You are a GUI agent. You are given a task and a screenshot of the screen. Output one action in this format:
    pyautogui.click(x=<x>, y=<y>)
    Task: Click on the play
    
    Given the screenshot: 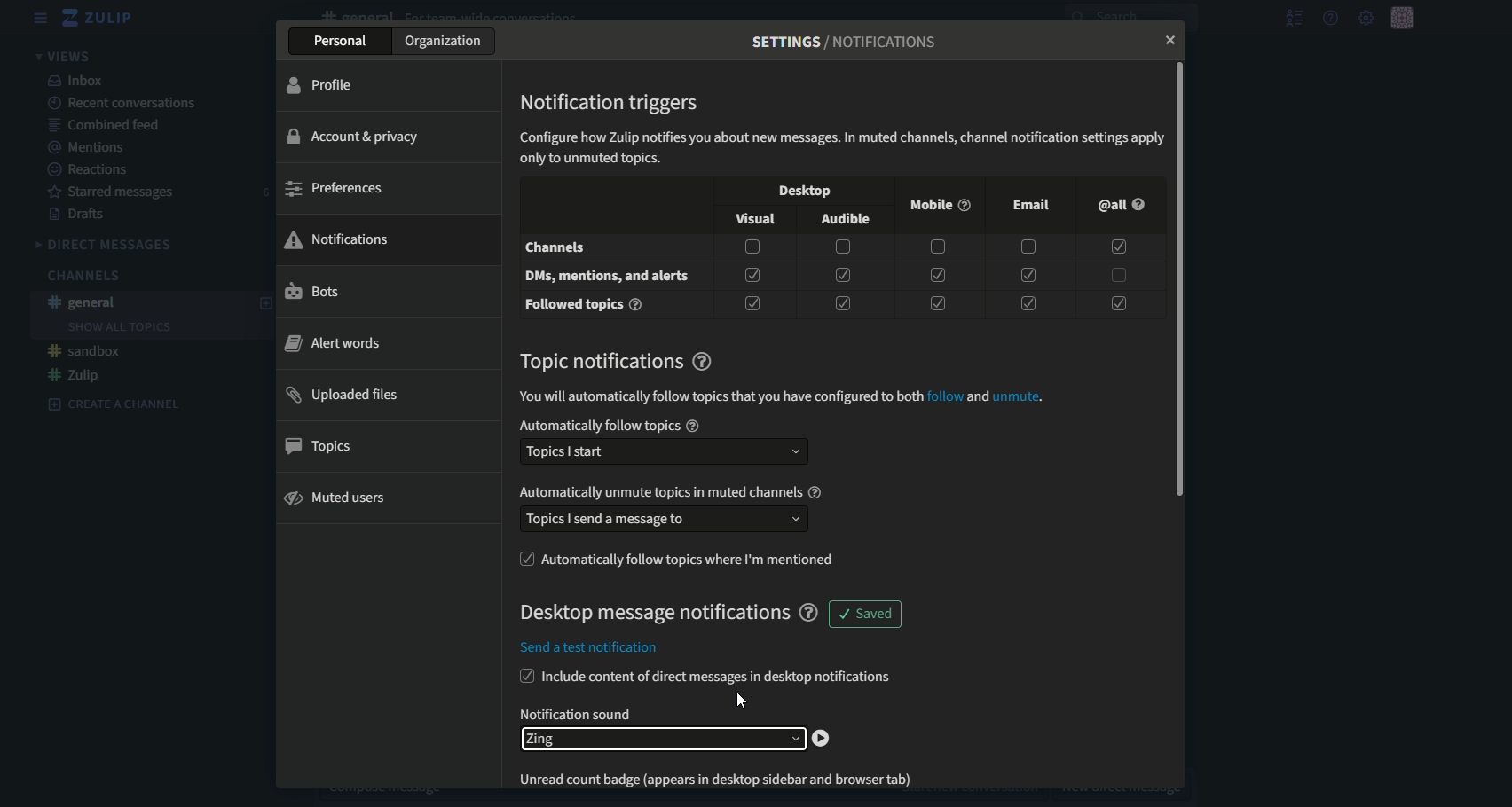 What is the action you would take?
    pyautogui.click(x=823, y=739)
    